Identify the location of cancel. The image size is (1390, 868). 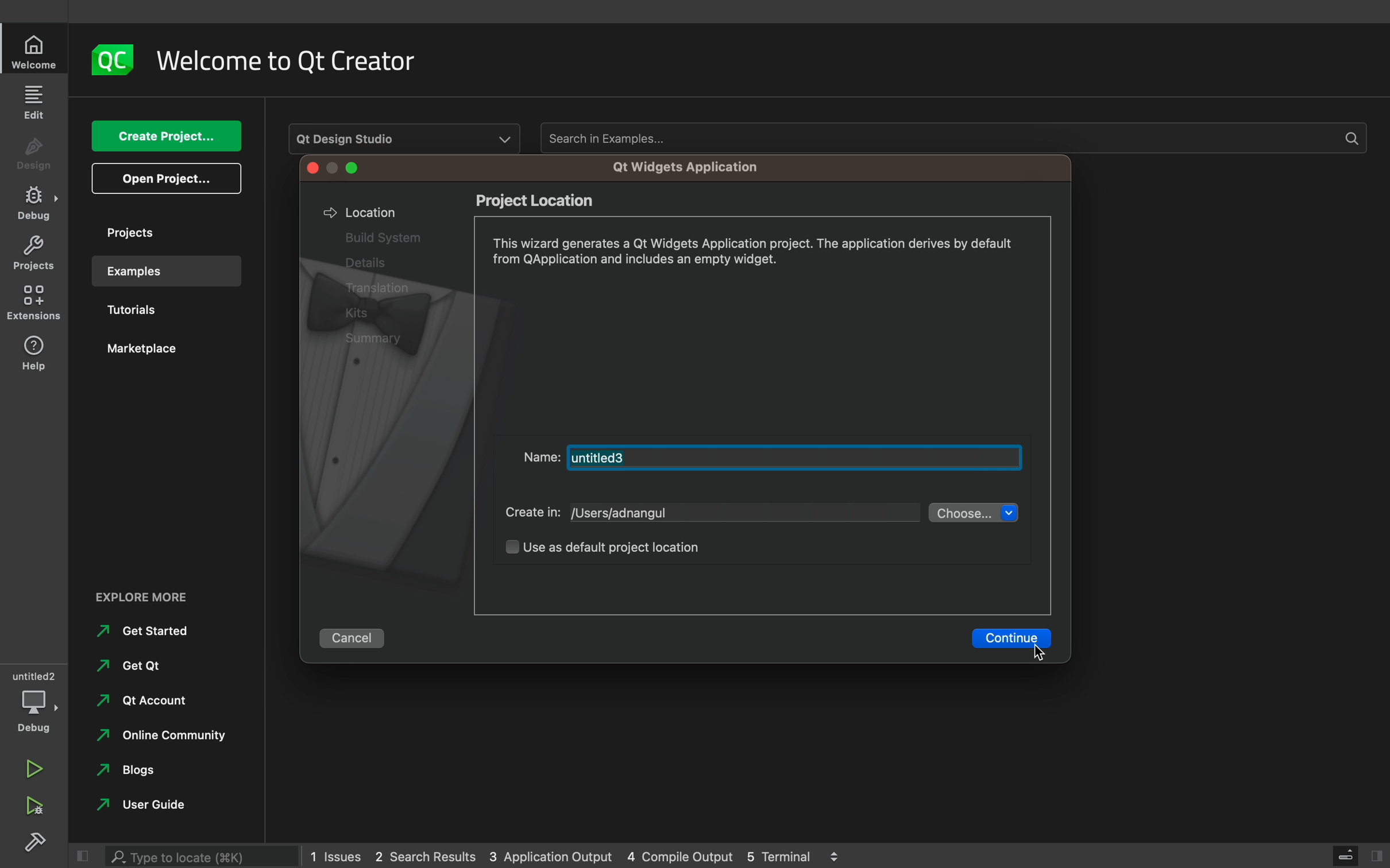
(350, 640).